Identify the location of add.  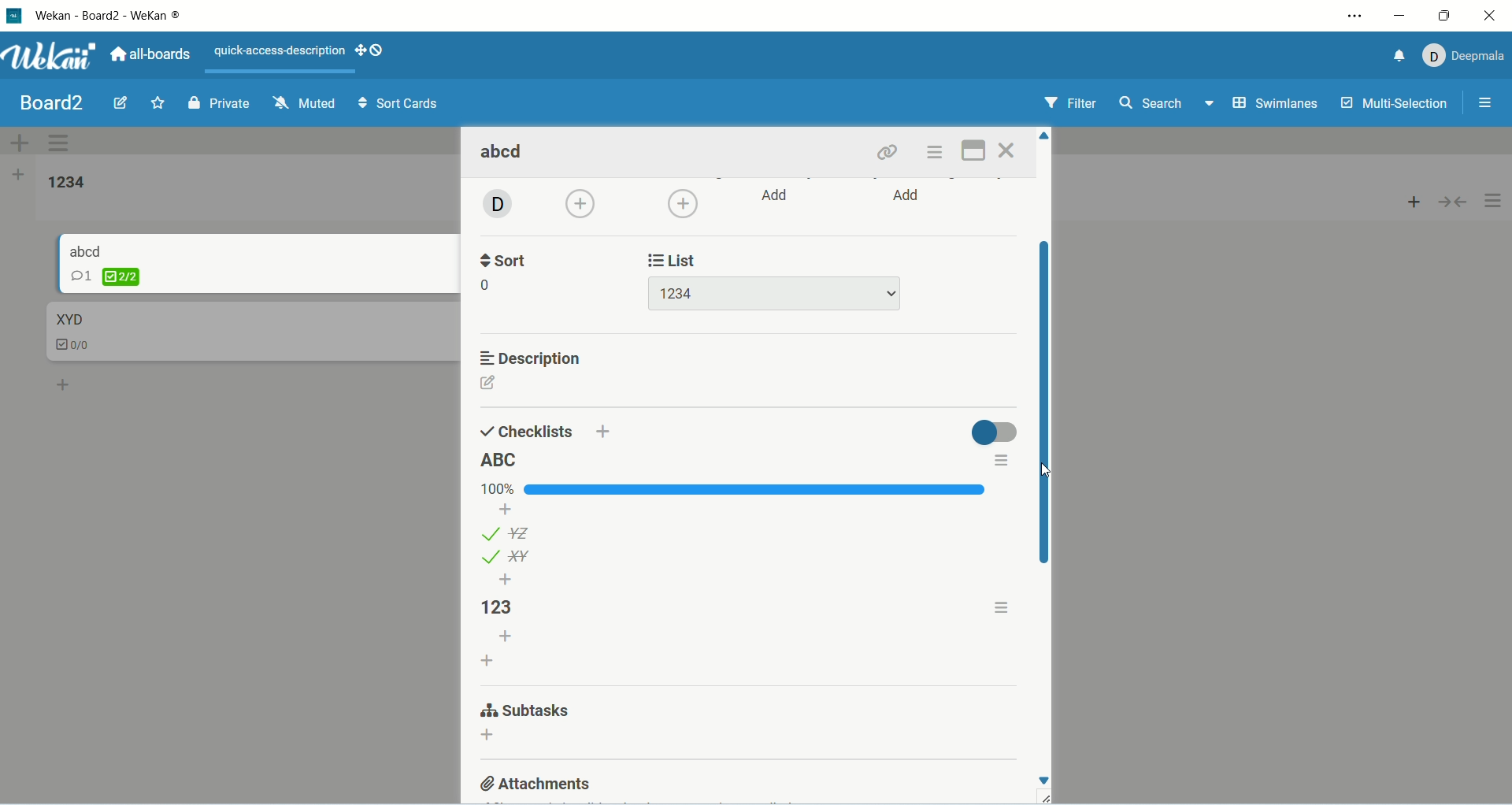
(506, 580).